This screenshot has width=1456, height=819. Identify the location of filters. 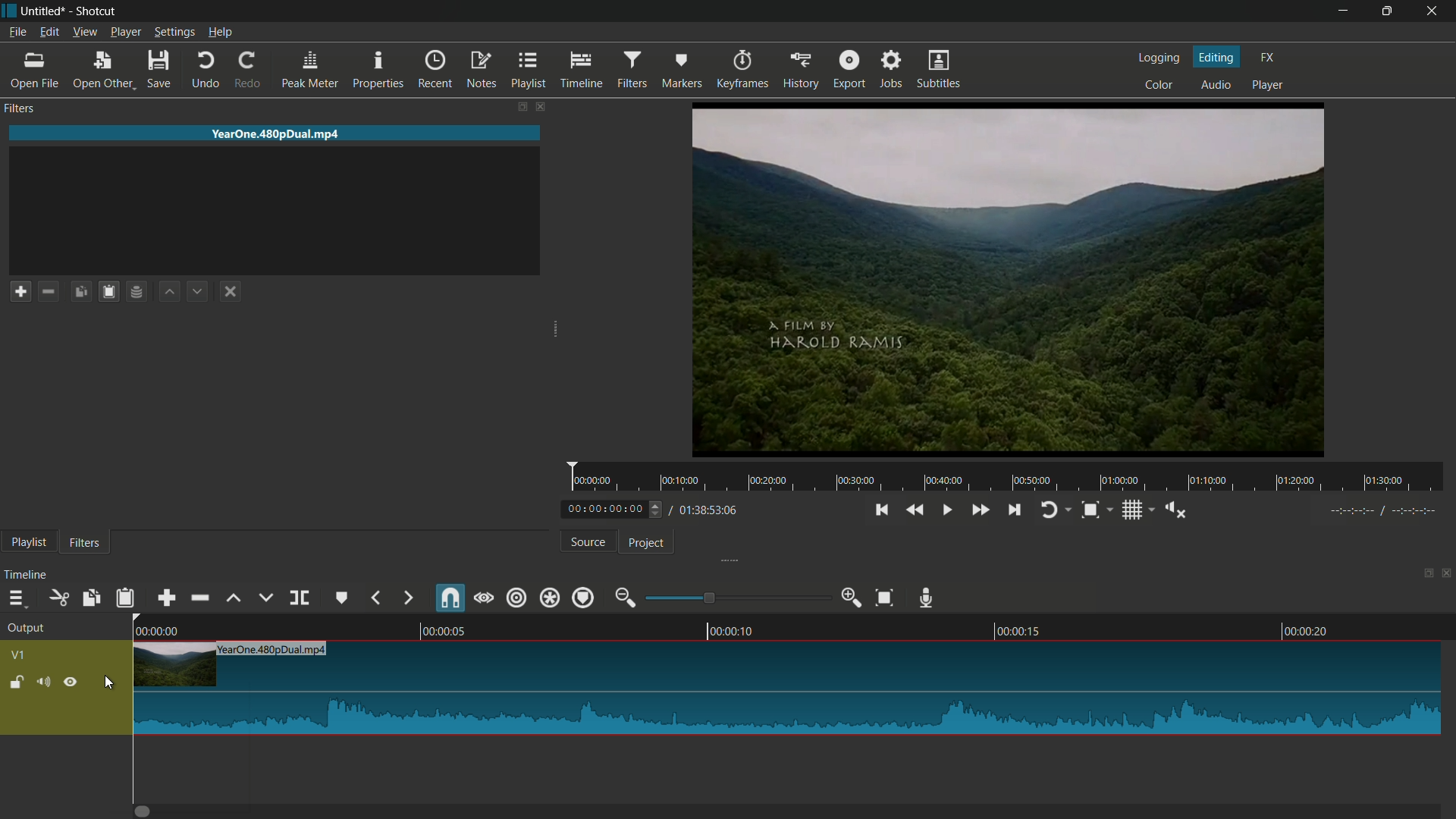
(631, 71).